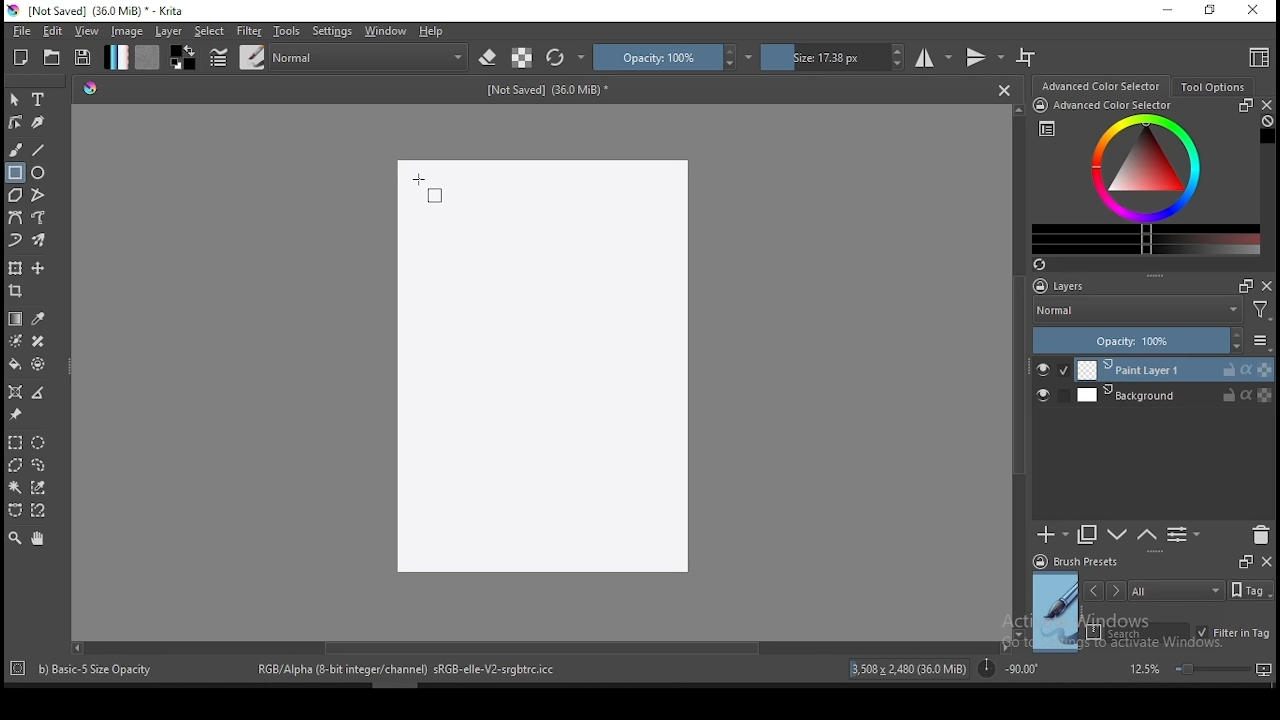 The width and height of the screenshot is (1280, 720). What do you see at coordinates (14, 415) in the screenshot?
I see `reference images tool` at bounding box center [14, 415].